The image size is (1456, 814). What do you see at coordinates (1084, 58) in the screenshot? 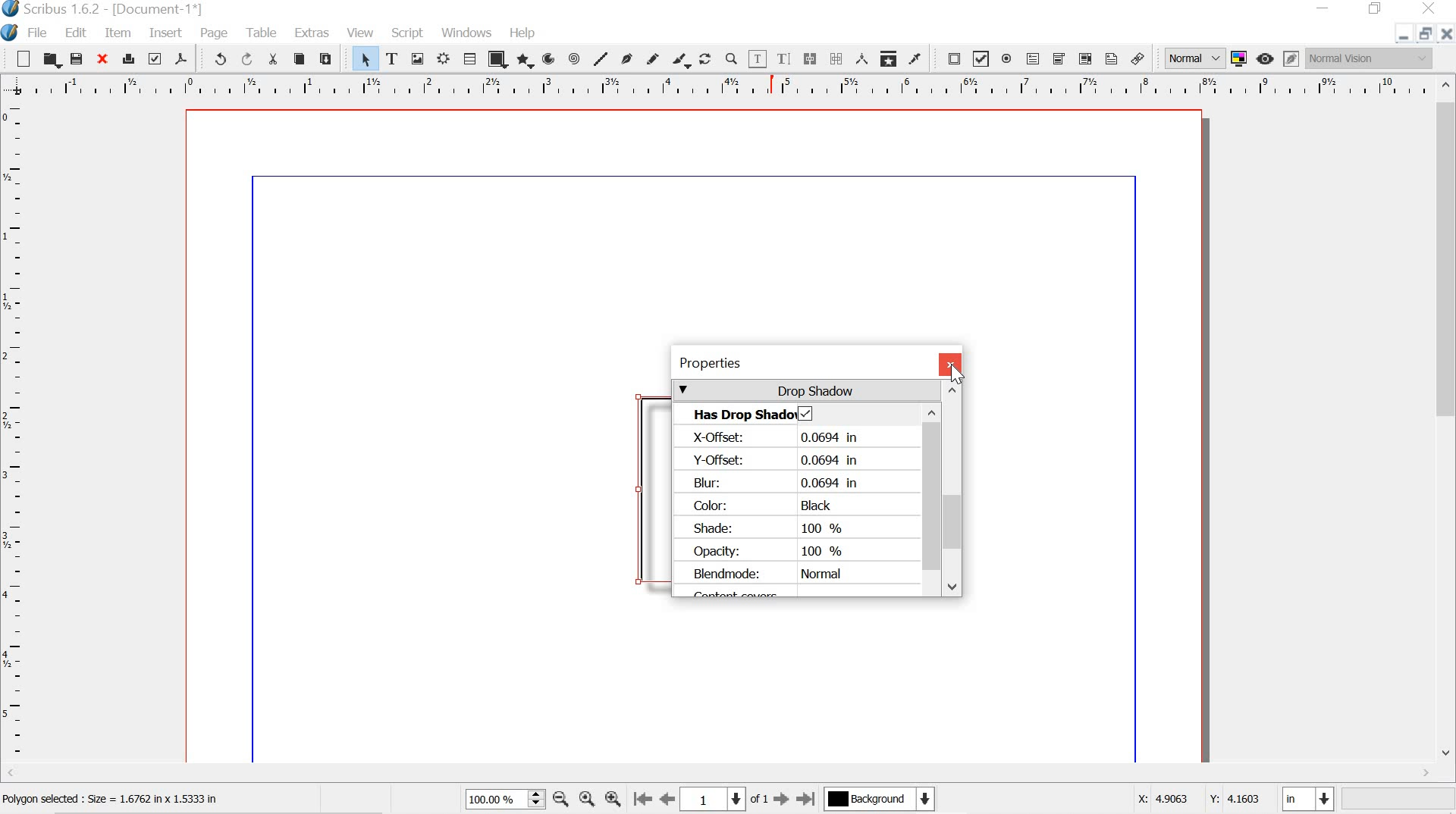
I see `pdf list box` at bounding box center [1084, 58].